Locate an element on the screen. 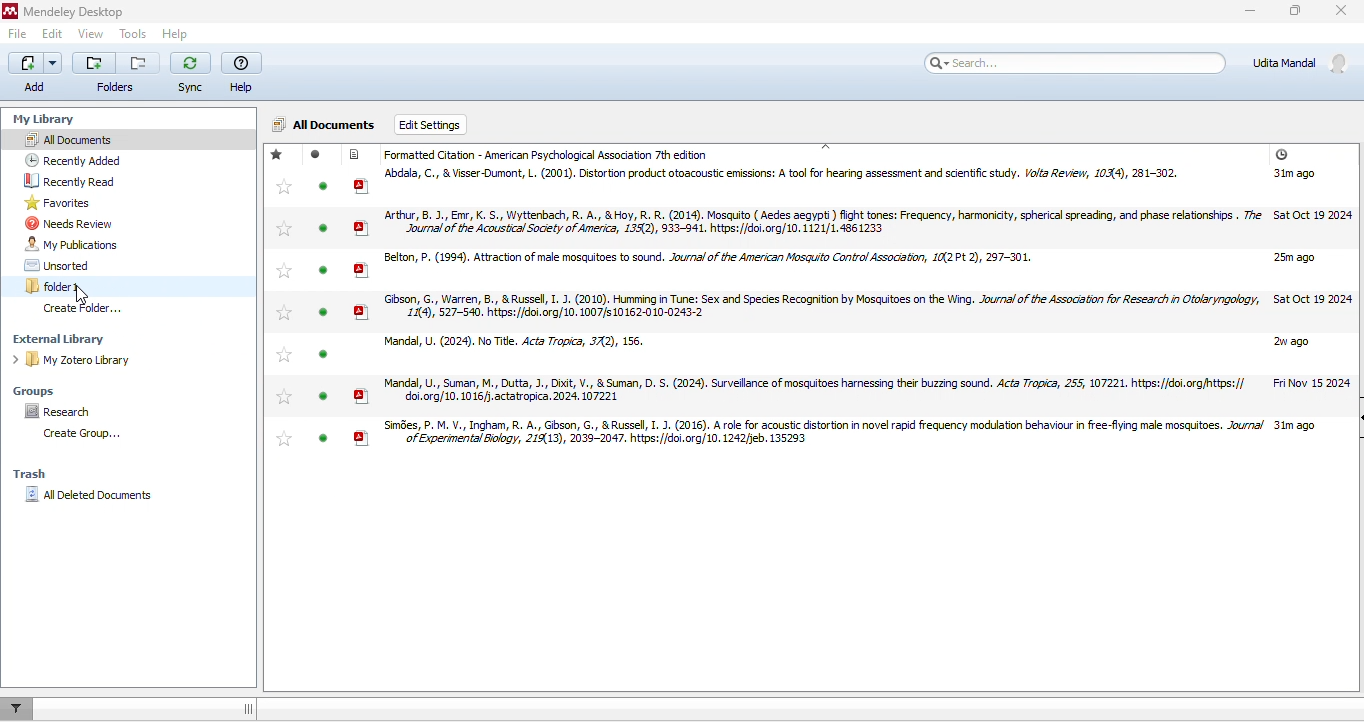  research articles is located at coordinates (851, 267).